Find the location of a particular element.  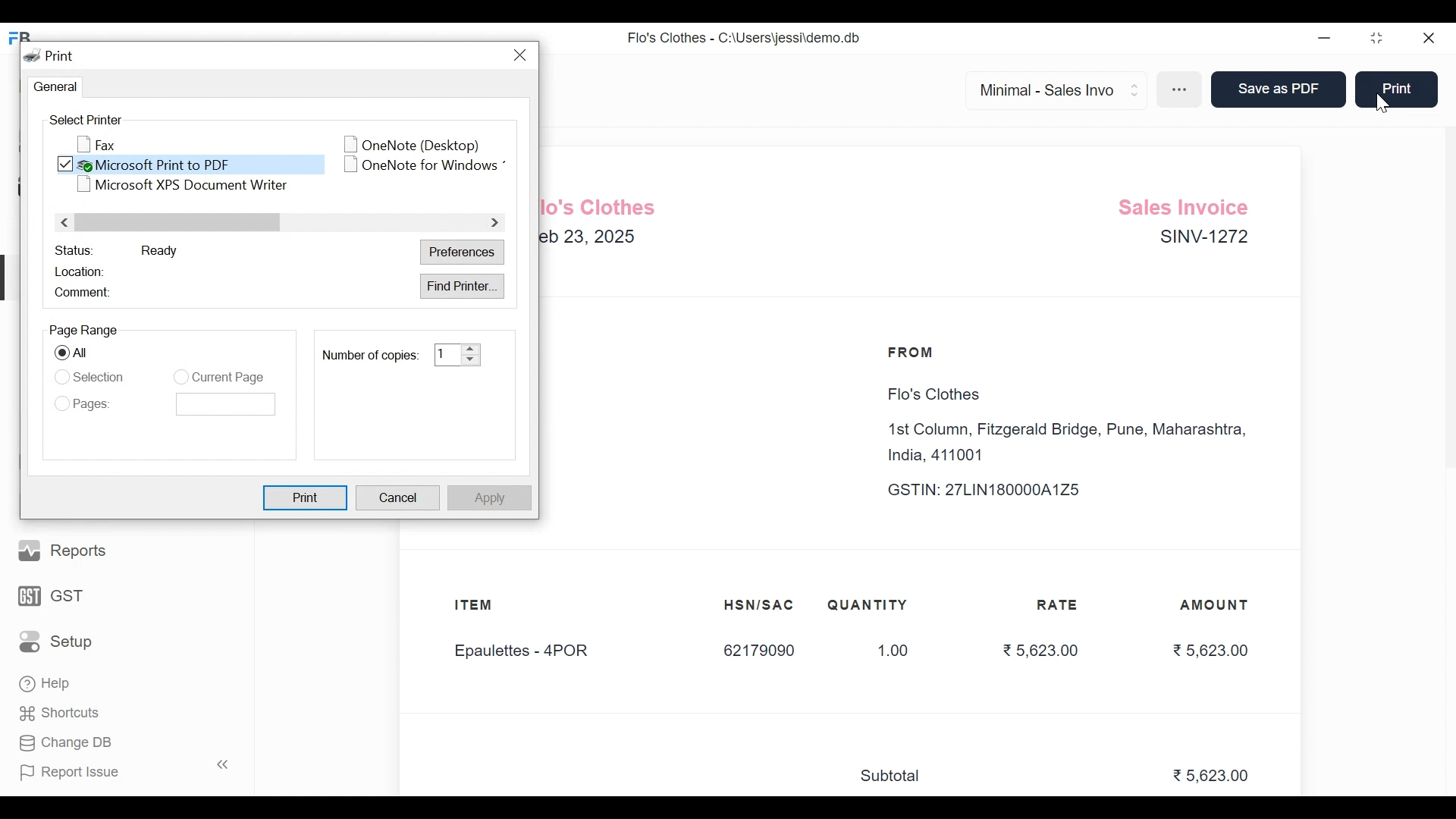

Select Printer is located at coordinates (83, 120).